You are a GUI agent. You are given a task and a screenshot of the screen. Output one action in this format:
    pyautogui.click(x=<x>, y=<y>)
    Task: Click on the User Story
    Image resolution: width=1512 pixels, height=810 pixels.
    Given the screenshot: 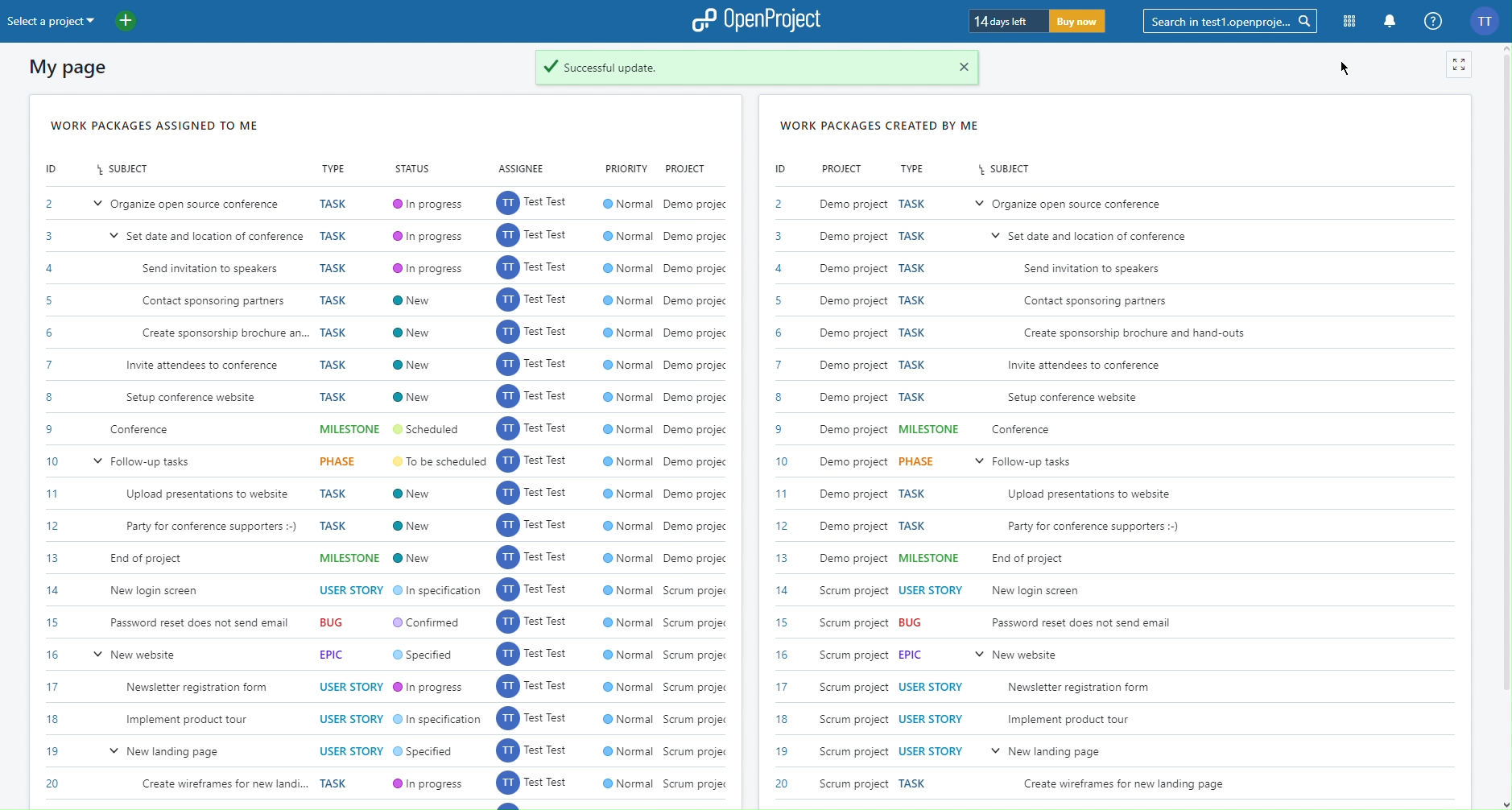 What is the action you would take?
    pyautogui.click(x=932, y=717)
    